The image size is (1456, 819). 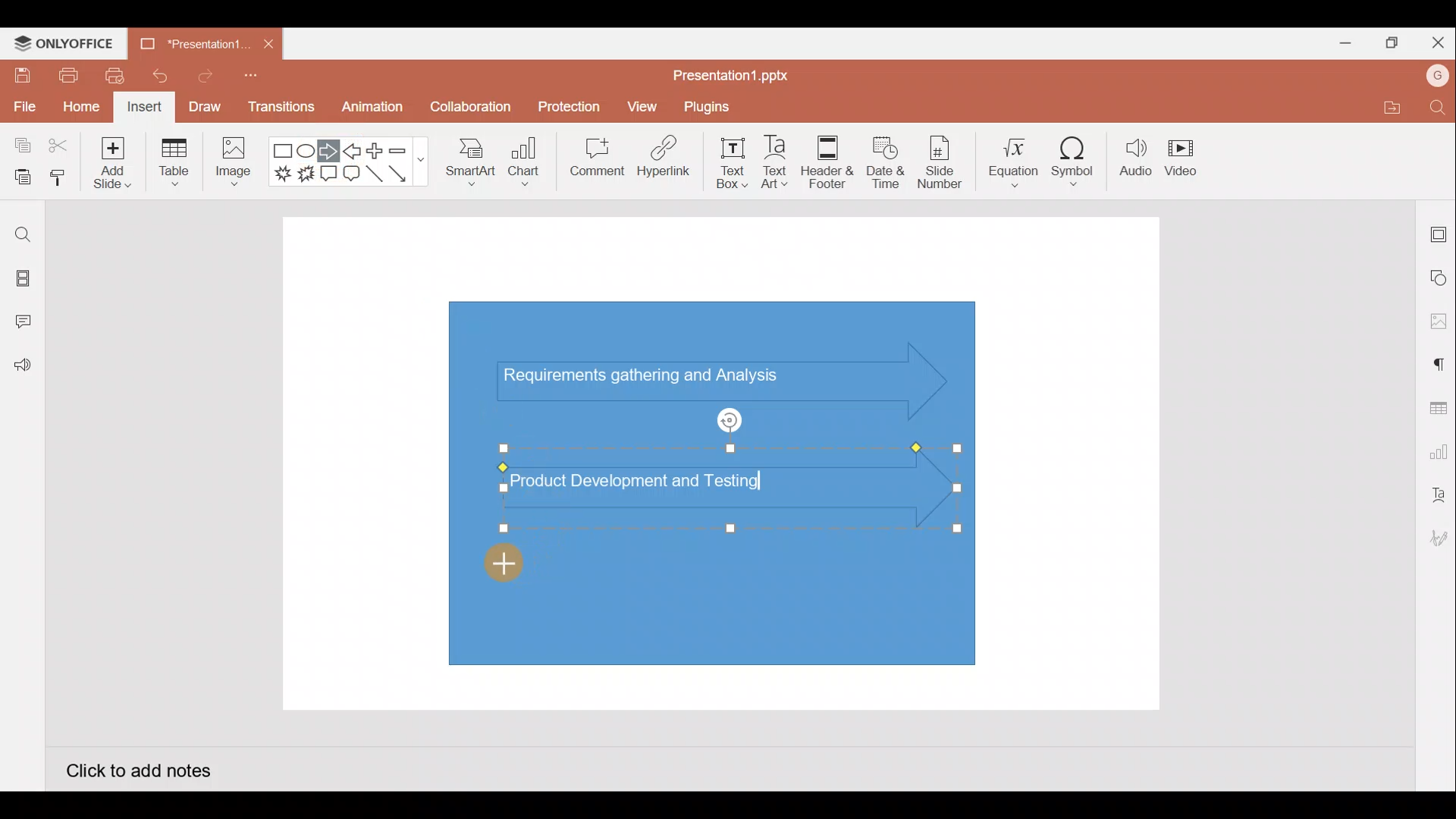 What do you see at coordinates (351, 171) in the screenshot?
I see `Rounded Rectangular callout` at bounding box center [351, 171].